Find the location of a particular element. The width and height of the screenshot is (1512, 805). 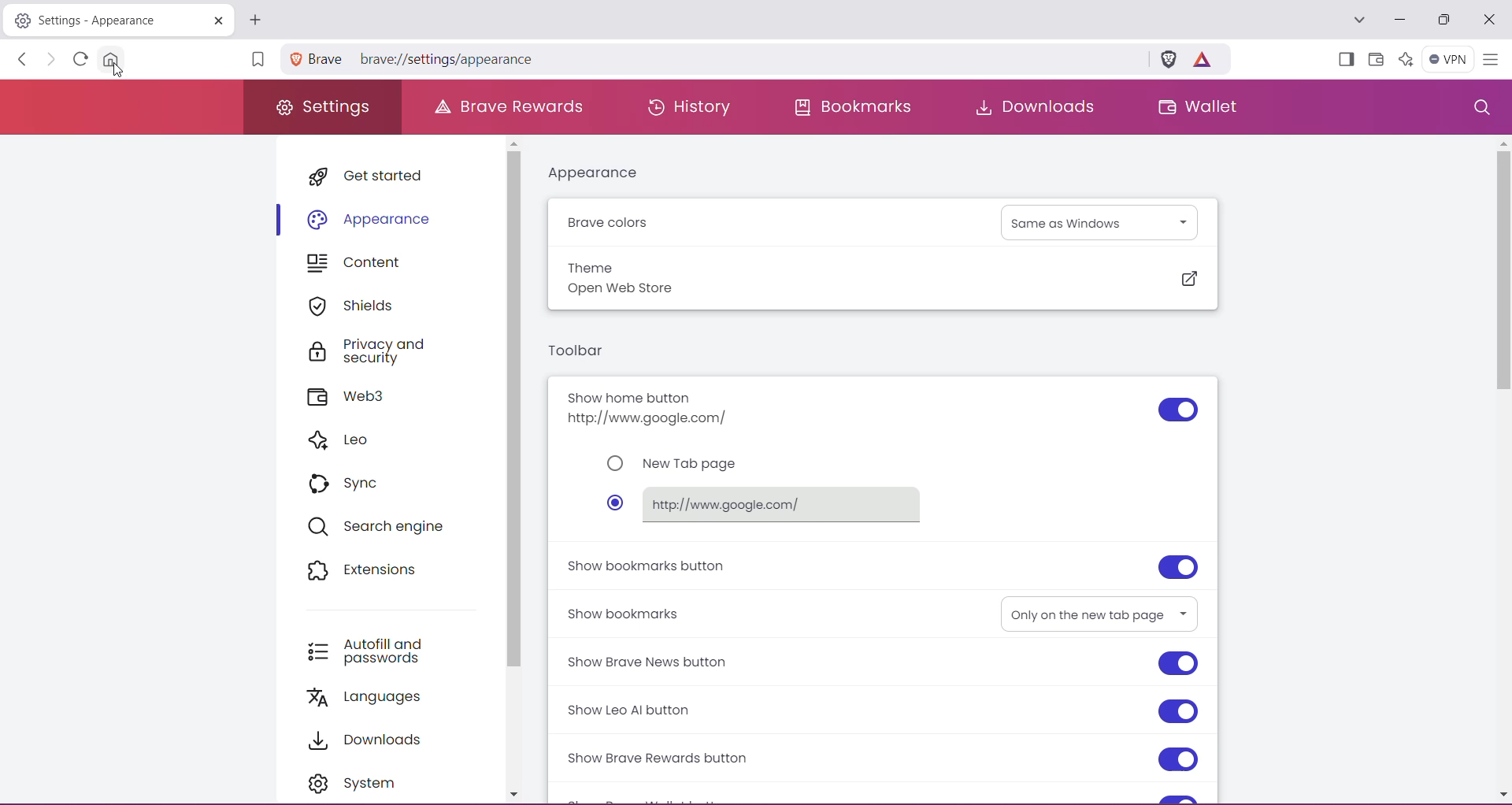

Set the frequency to show bookmarks is located at coordinates (1098, 613).